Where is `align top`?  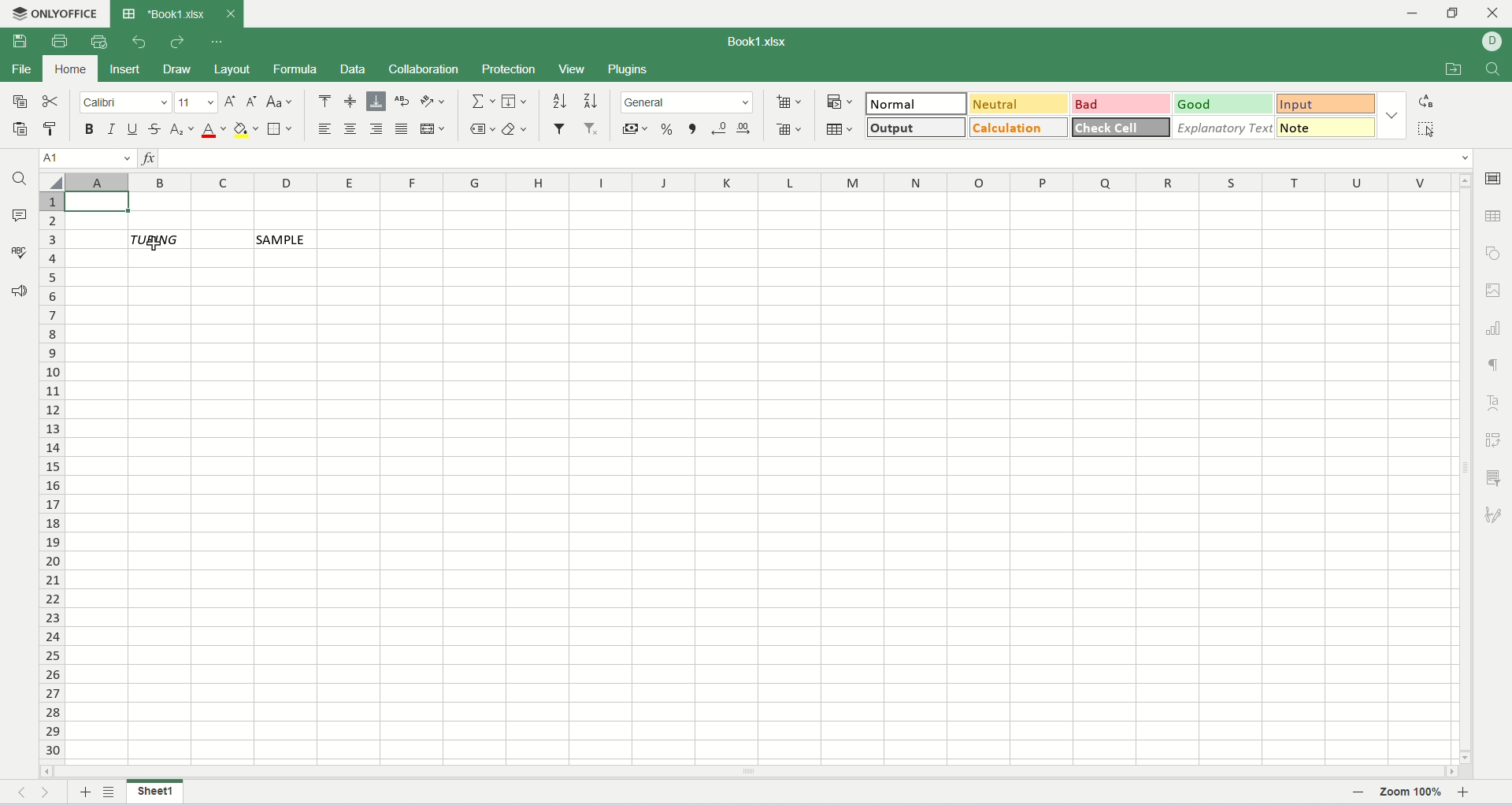
align top is located at coordinates (324, 103).